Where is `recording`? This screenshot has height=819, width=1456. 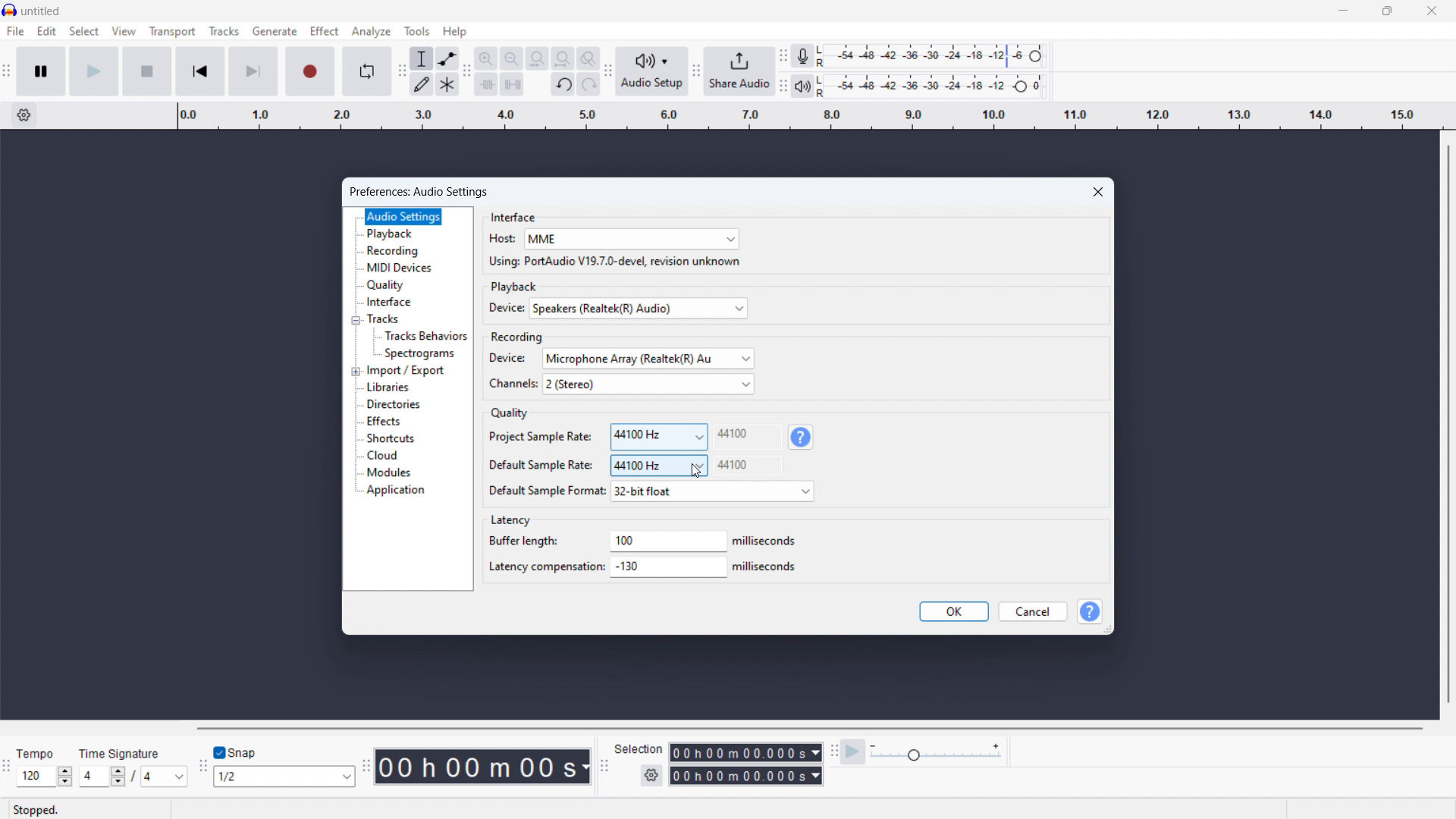
recording is located at coordinates (394, 251).